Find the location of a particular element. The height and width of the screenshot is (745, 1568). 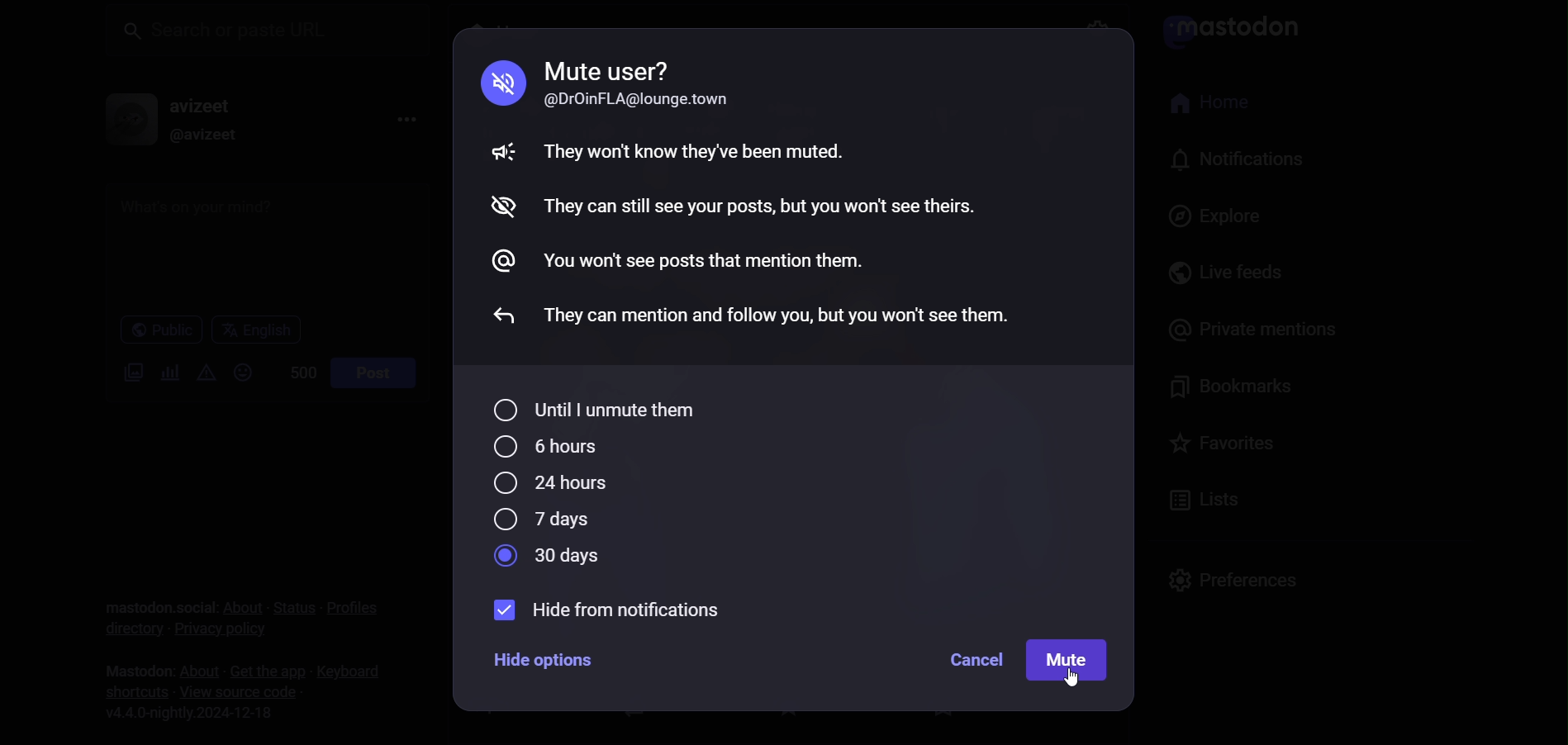

cancel is located at coordinates (974, 660).